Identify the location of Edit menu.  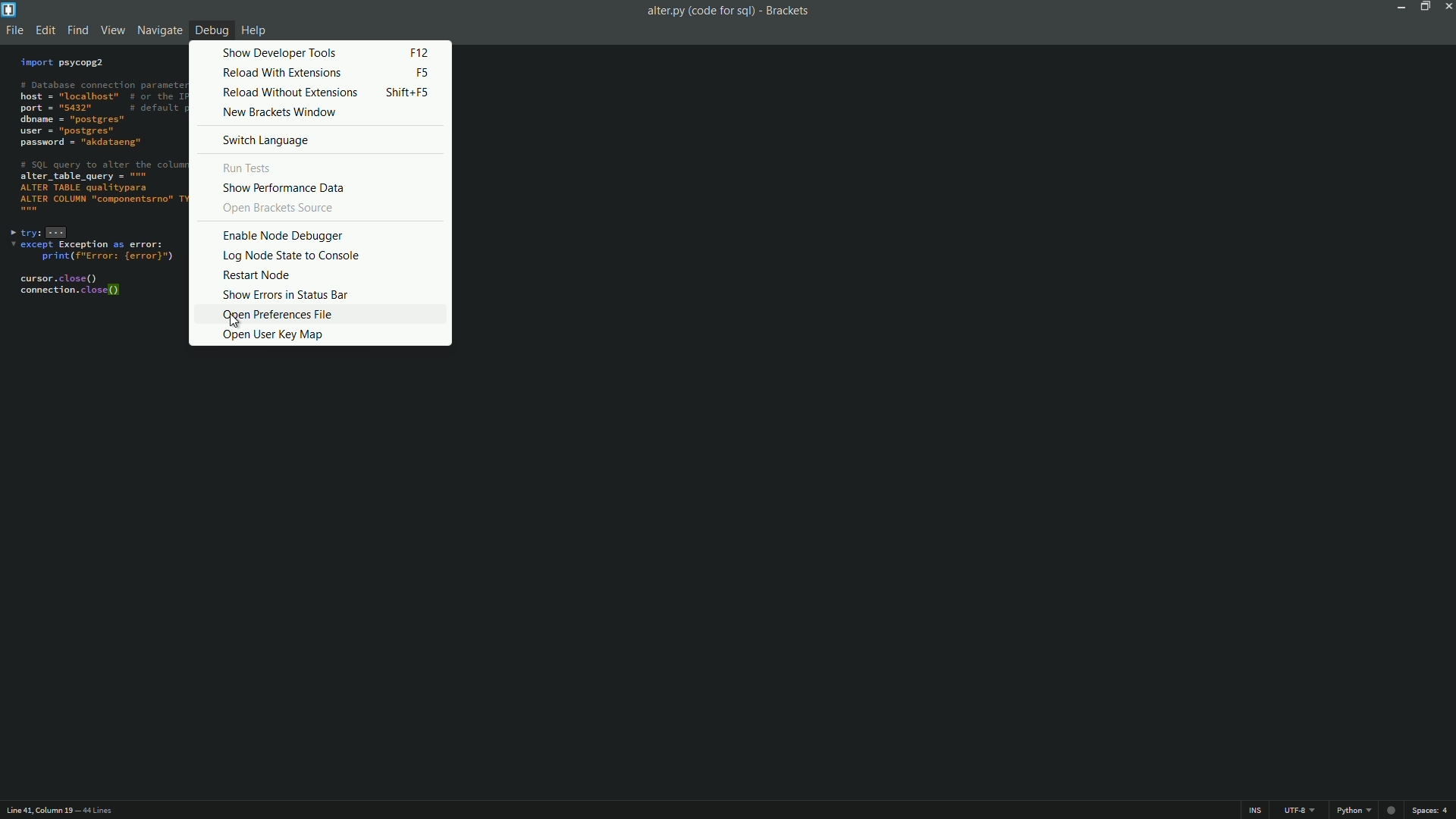
(44, 32).